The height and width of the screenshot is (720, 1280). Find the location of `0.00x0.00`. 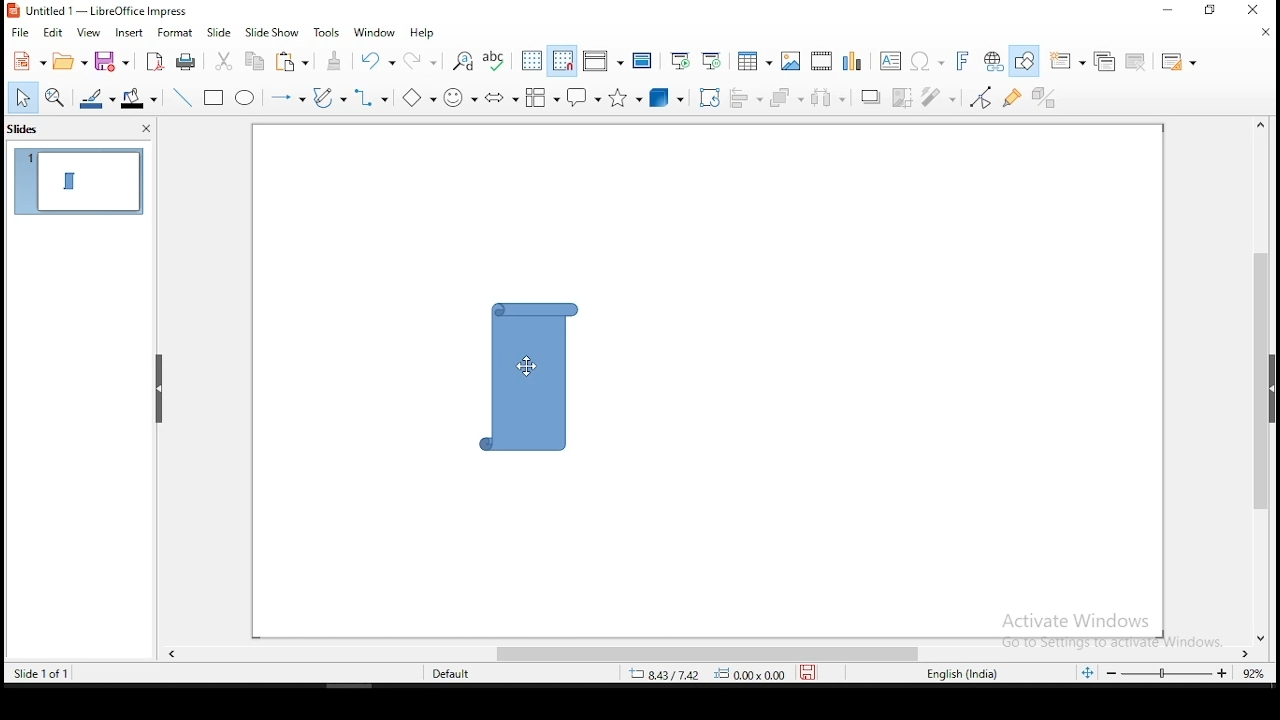

0.00x0.00 is located at coordinates (750, 677).